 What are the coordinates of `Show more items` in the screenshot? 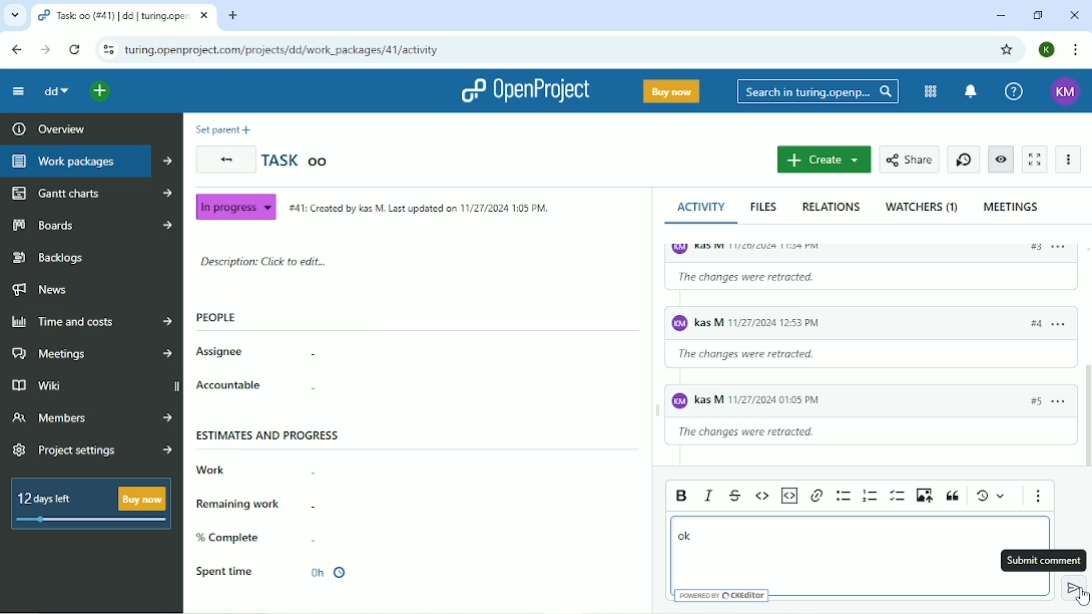 It's located at (1039, 497).